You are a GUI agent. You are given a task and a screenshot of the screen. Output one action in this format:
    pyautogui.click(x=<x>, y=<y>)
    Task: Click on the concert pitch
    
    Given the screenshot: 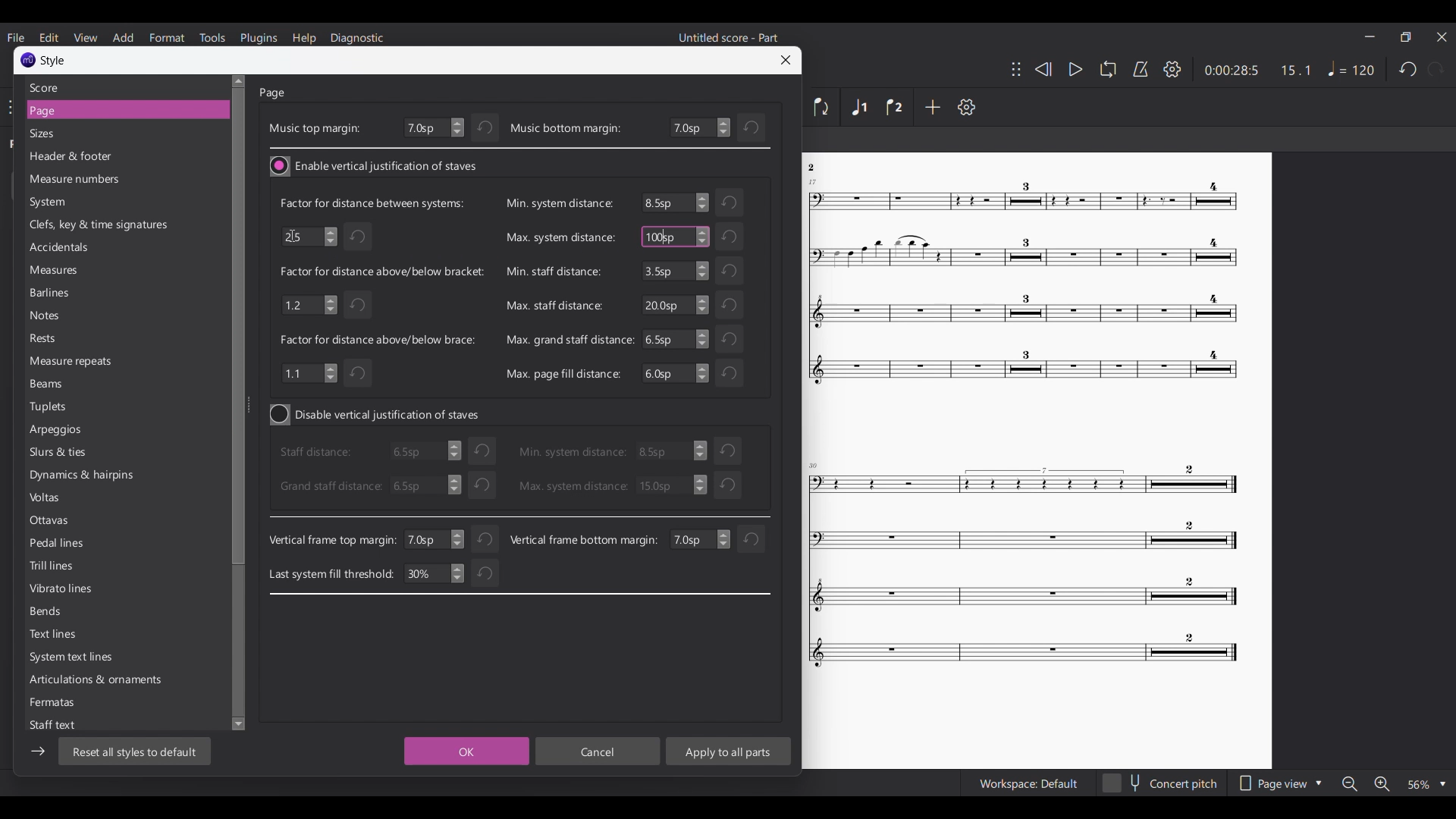 What is the action you would take?
    pyautogui.click(x=1160, y=785)
    